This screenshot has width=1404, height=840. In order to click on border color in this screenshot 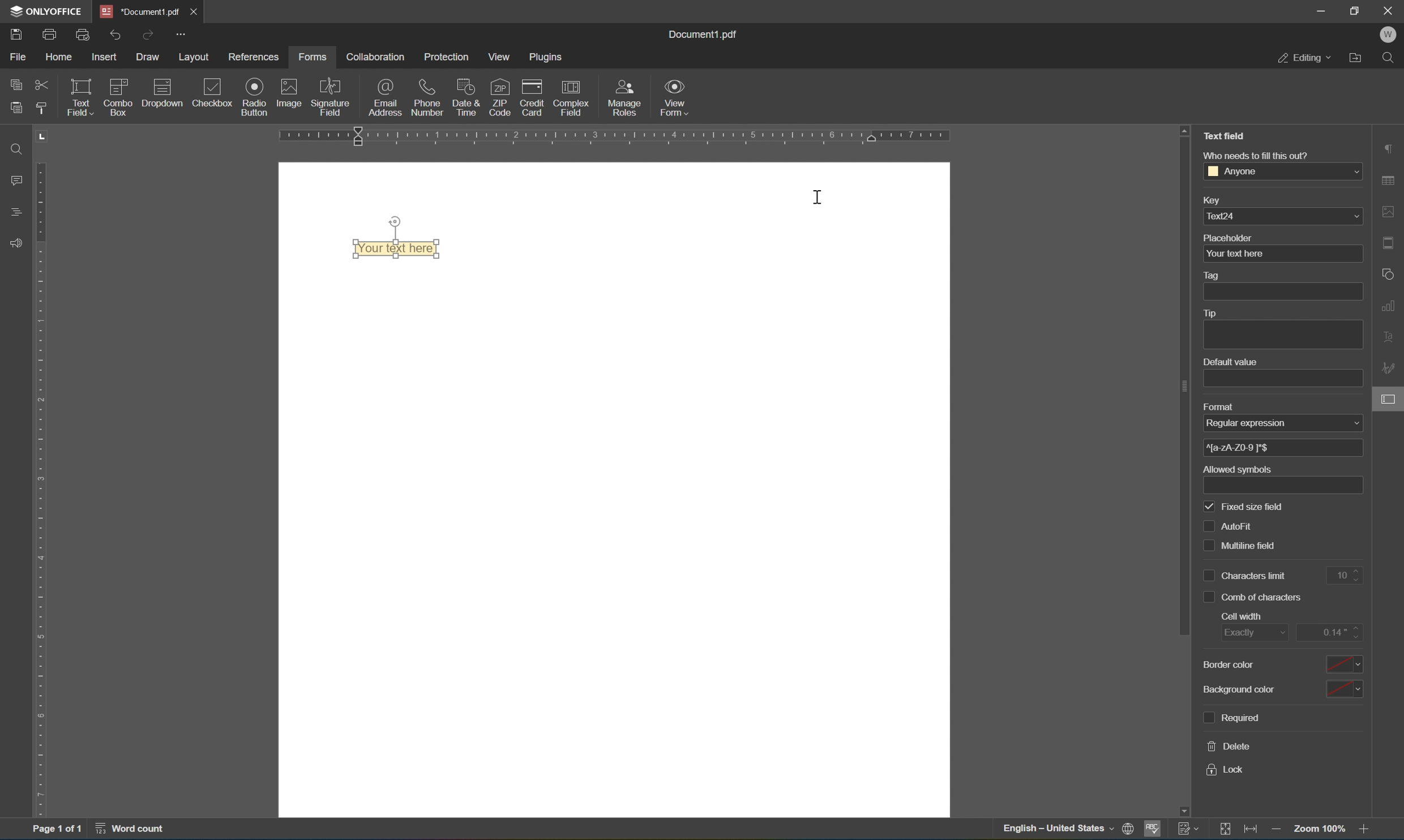, I will do `click(1227, 664)`.